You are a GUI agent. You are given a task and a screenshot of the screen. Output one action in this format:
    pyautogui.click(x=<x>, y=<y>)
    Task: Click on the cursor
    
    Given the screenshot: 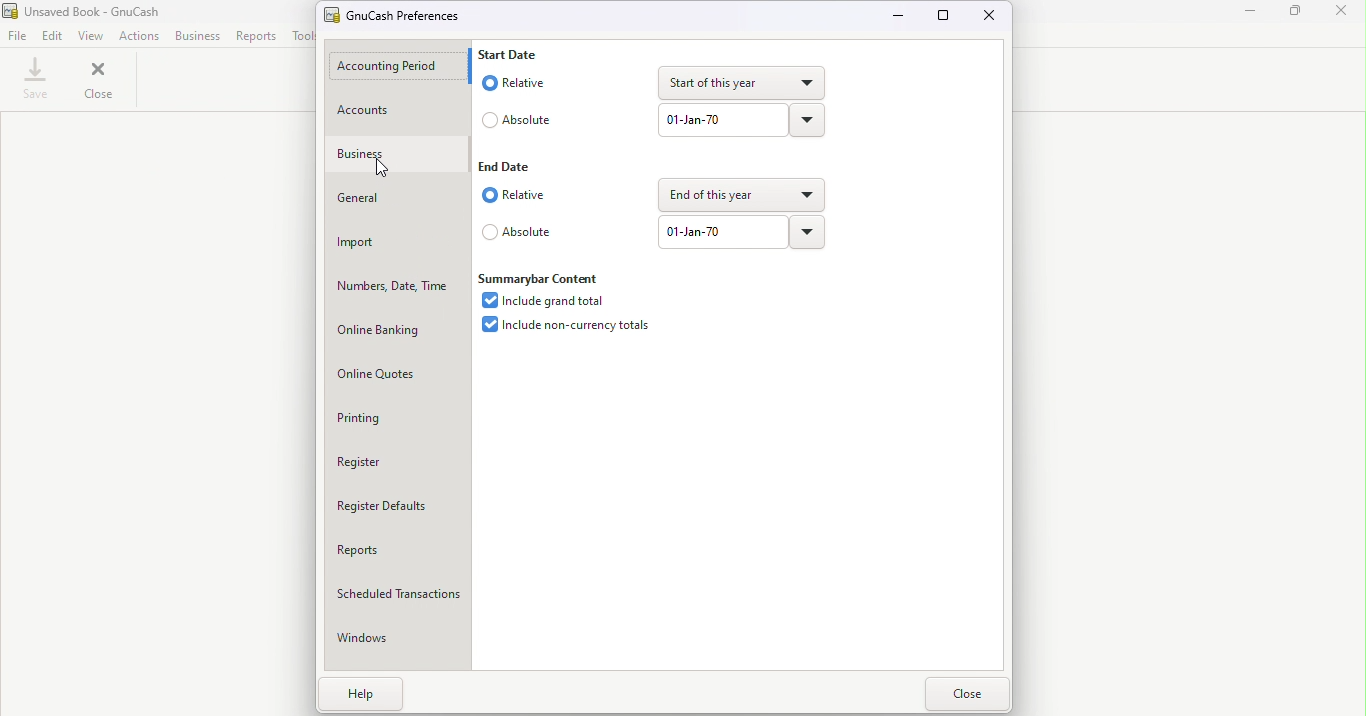 What is the action you would take?
    pyautogui.click(x=379, y=171)
    